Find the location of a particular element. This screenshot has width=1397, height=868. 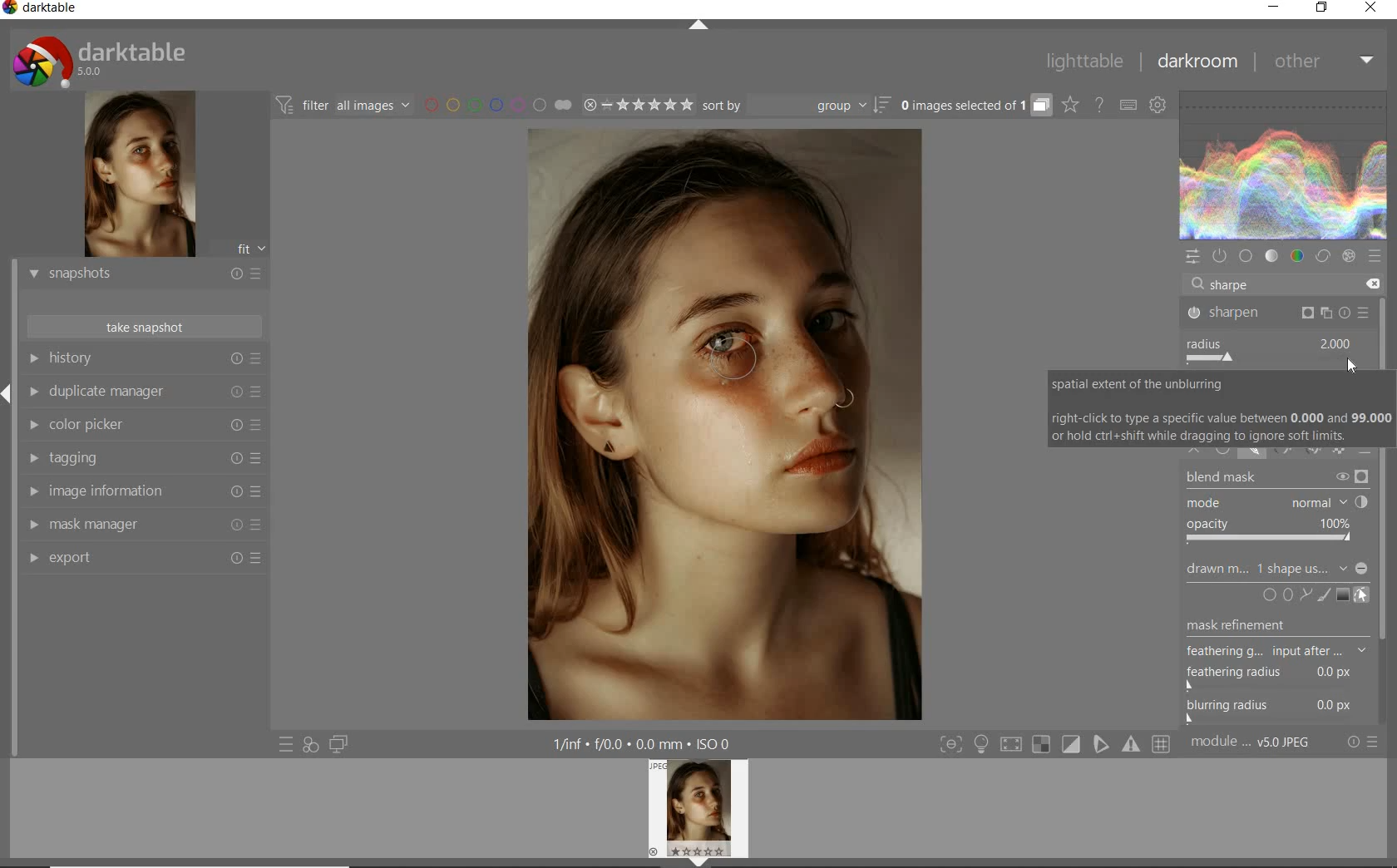

other is located at coordinates (1321, 60).